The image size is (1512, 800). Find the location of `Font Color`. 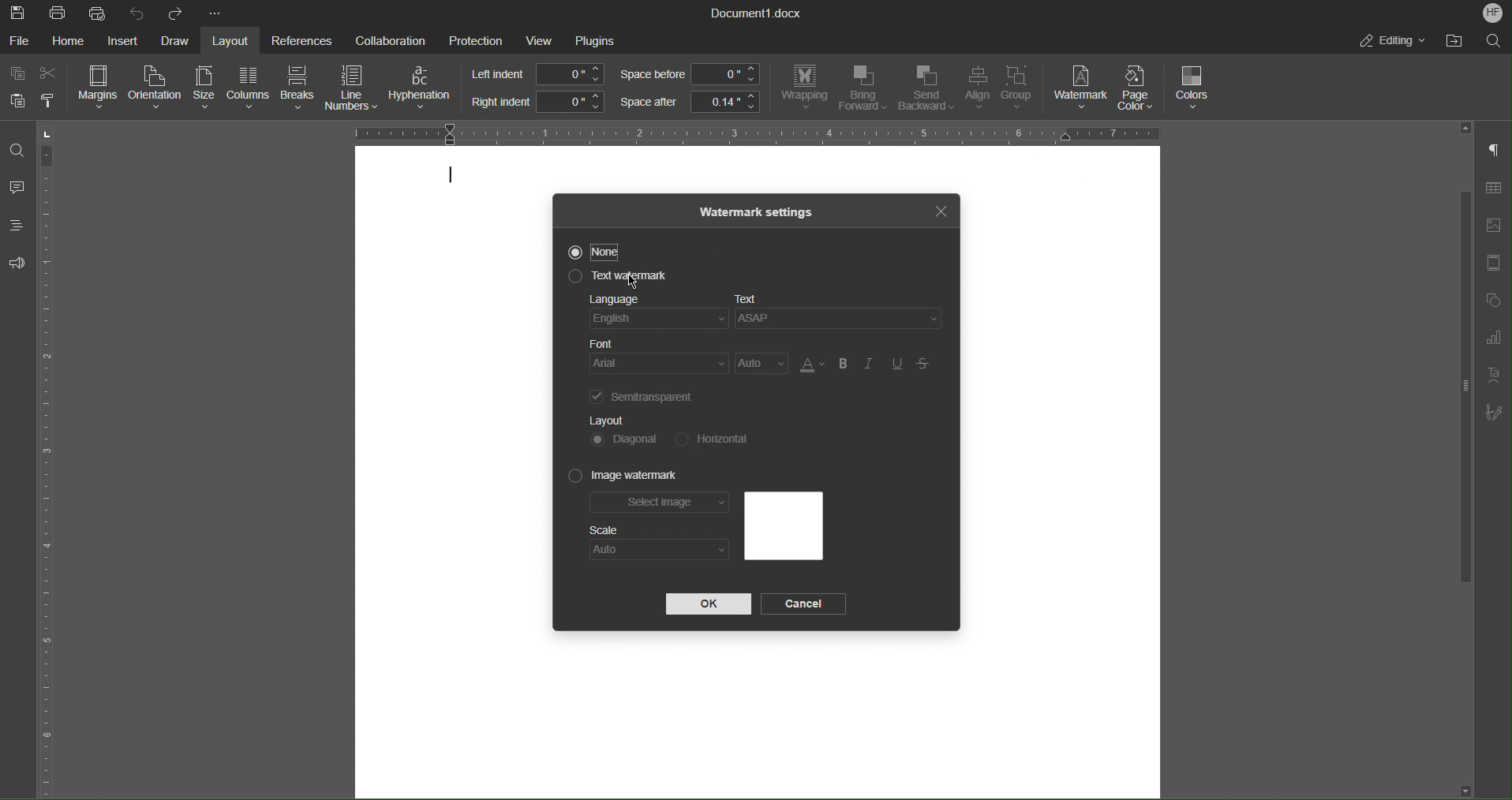

Font Color is located at coordinates (810, 364).